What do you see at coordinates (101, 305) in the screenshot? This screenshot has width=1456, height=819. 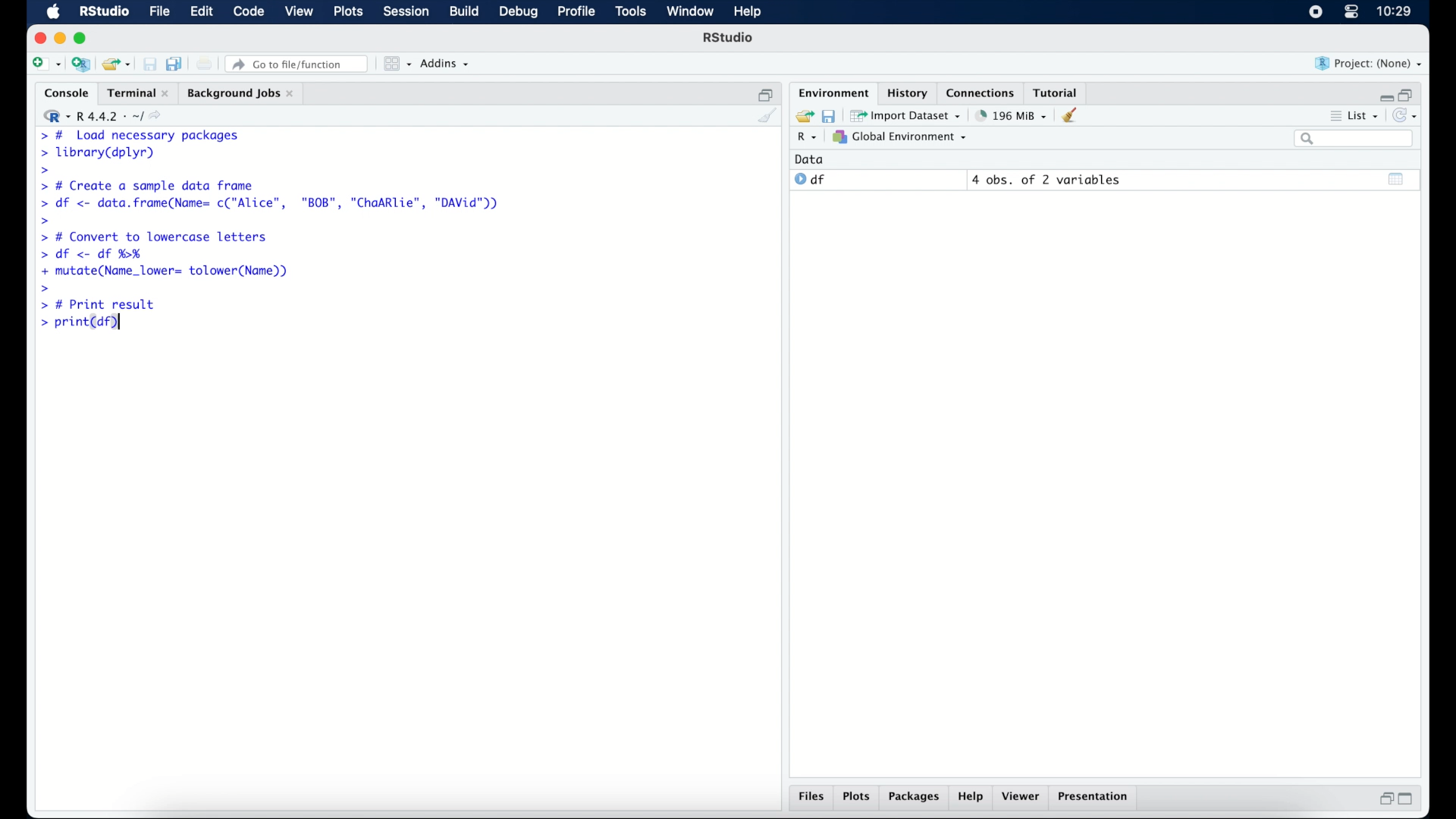 I see `> # Print result` at bounding box center [101, 305].